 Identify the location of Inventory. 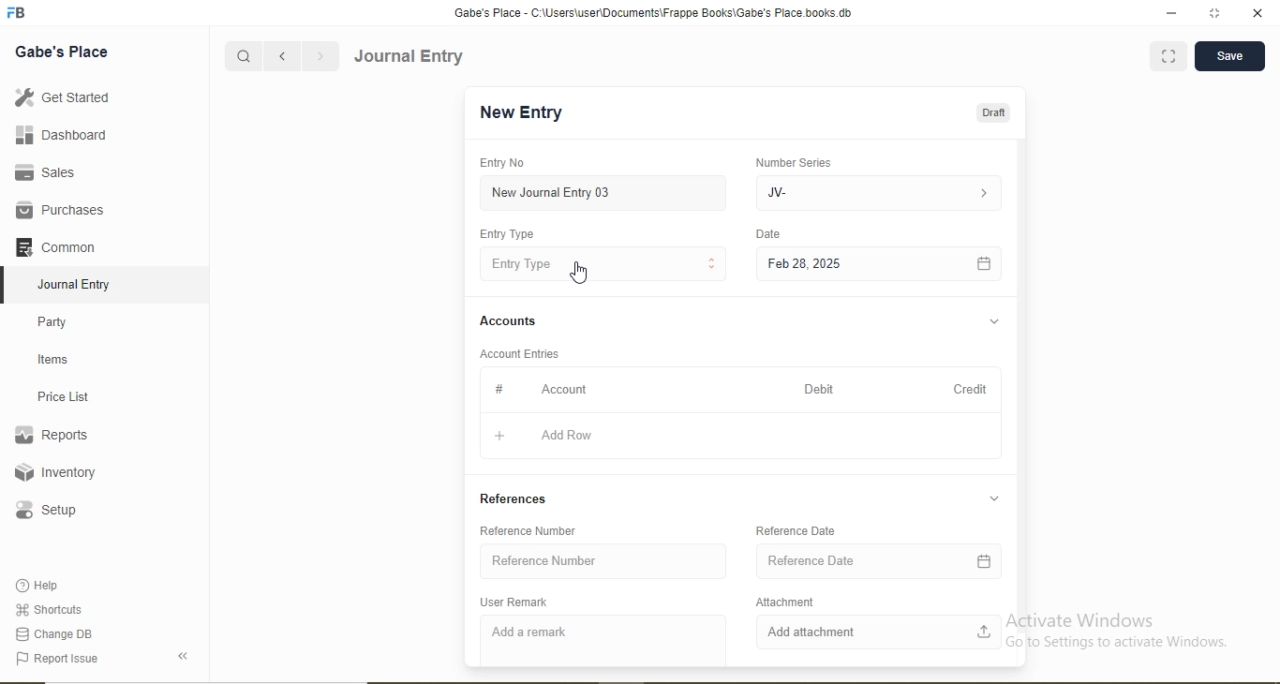
(56, 472).